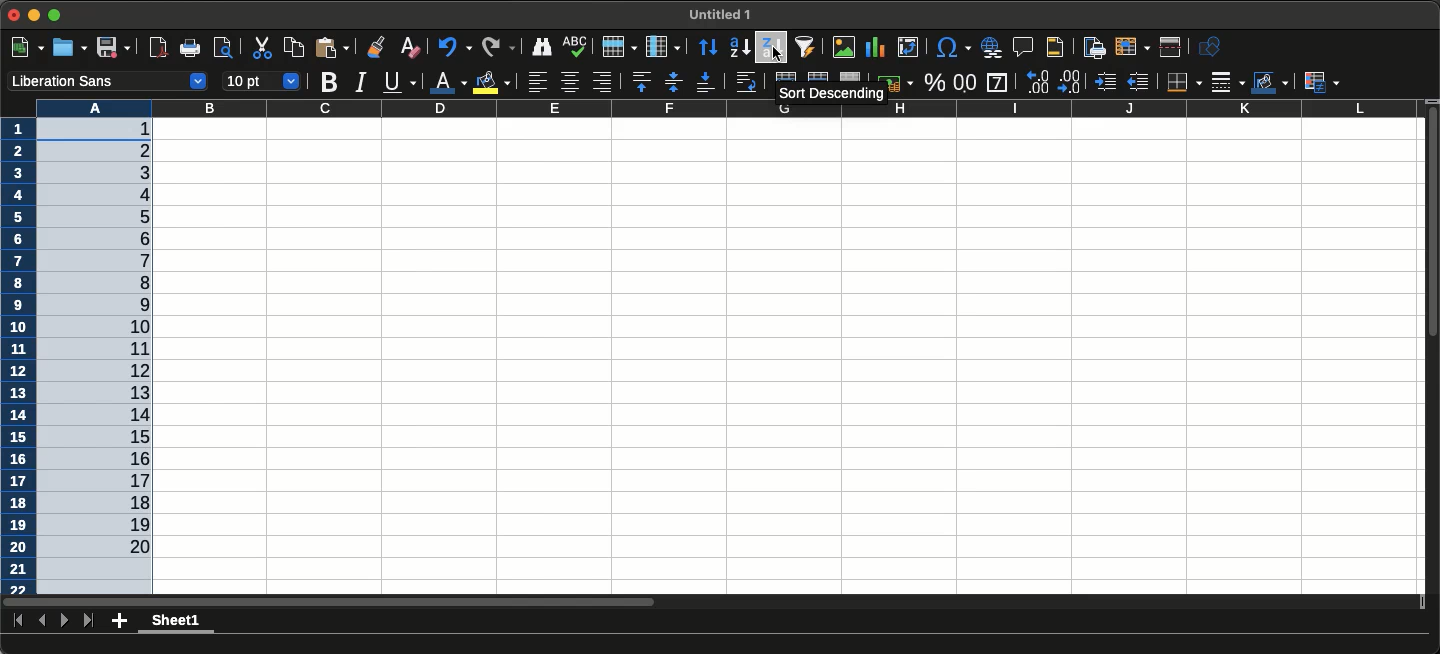 This screenshot has width=1440, height=654. I want to click on Wrap text, so click(746, 83).